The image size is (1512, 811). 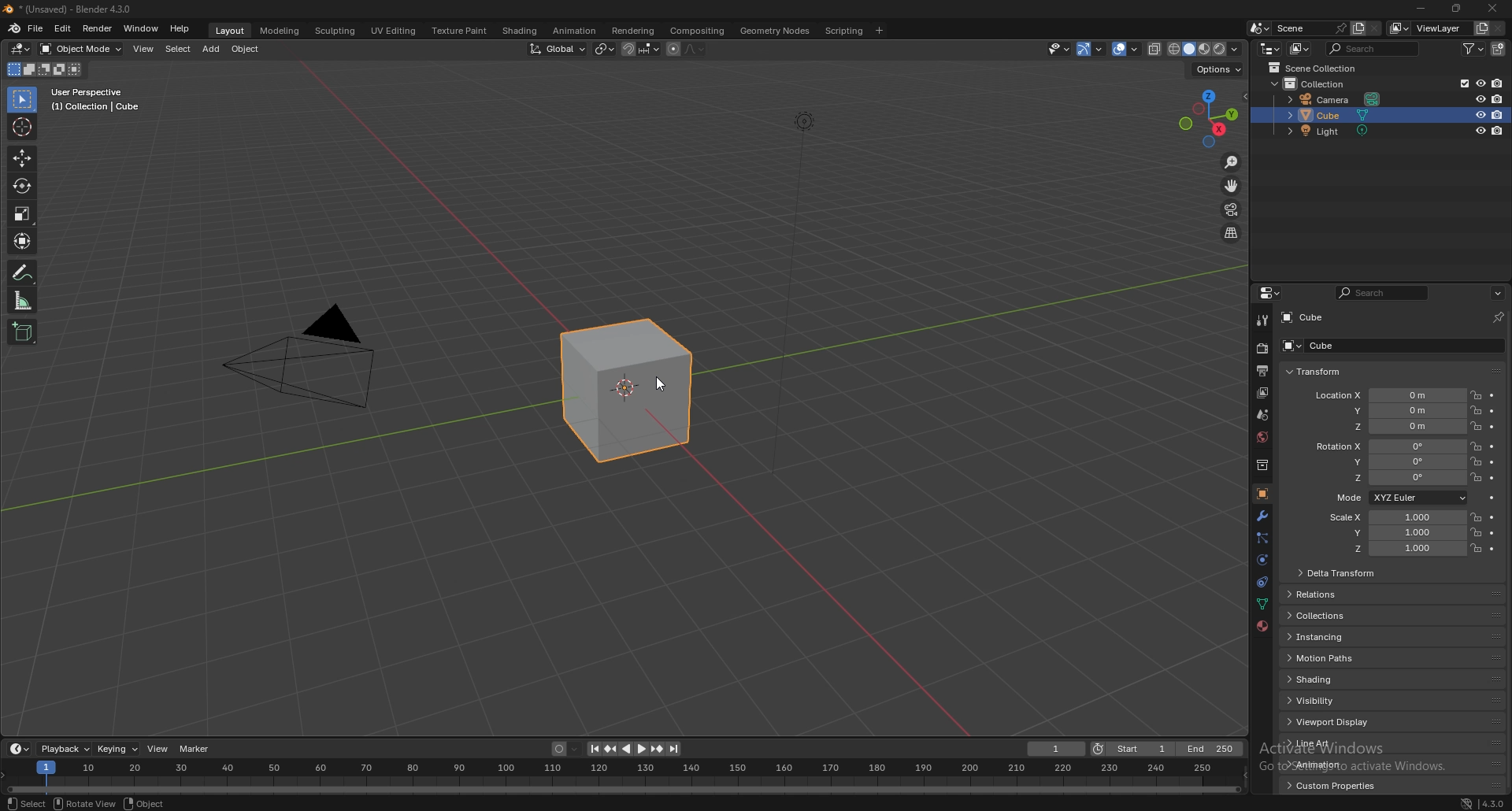 I want to click on keying, so click(x=117, y=749).